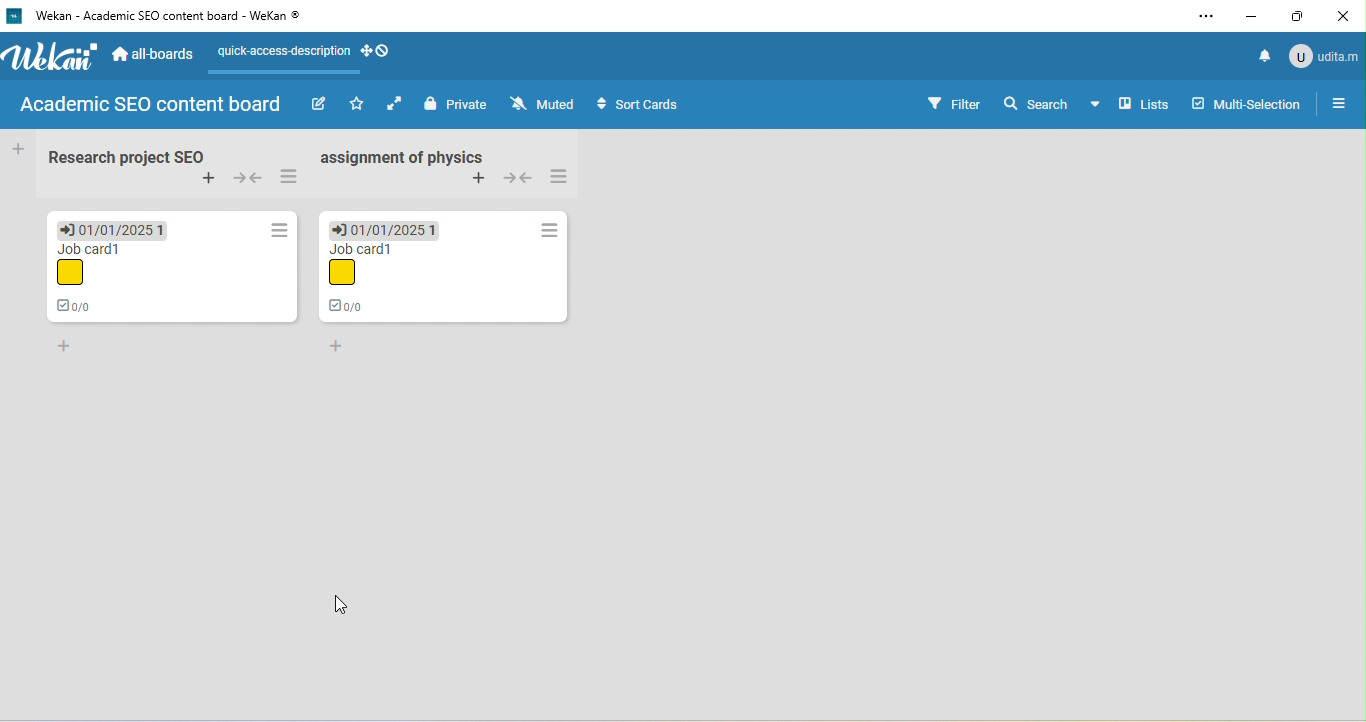 This screenshot has width=1366, height=722. I want to click on action, so click(551, 228).